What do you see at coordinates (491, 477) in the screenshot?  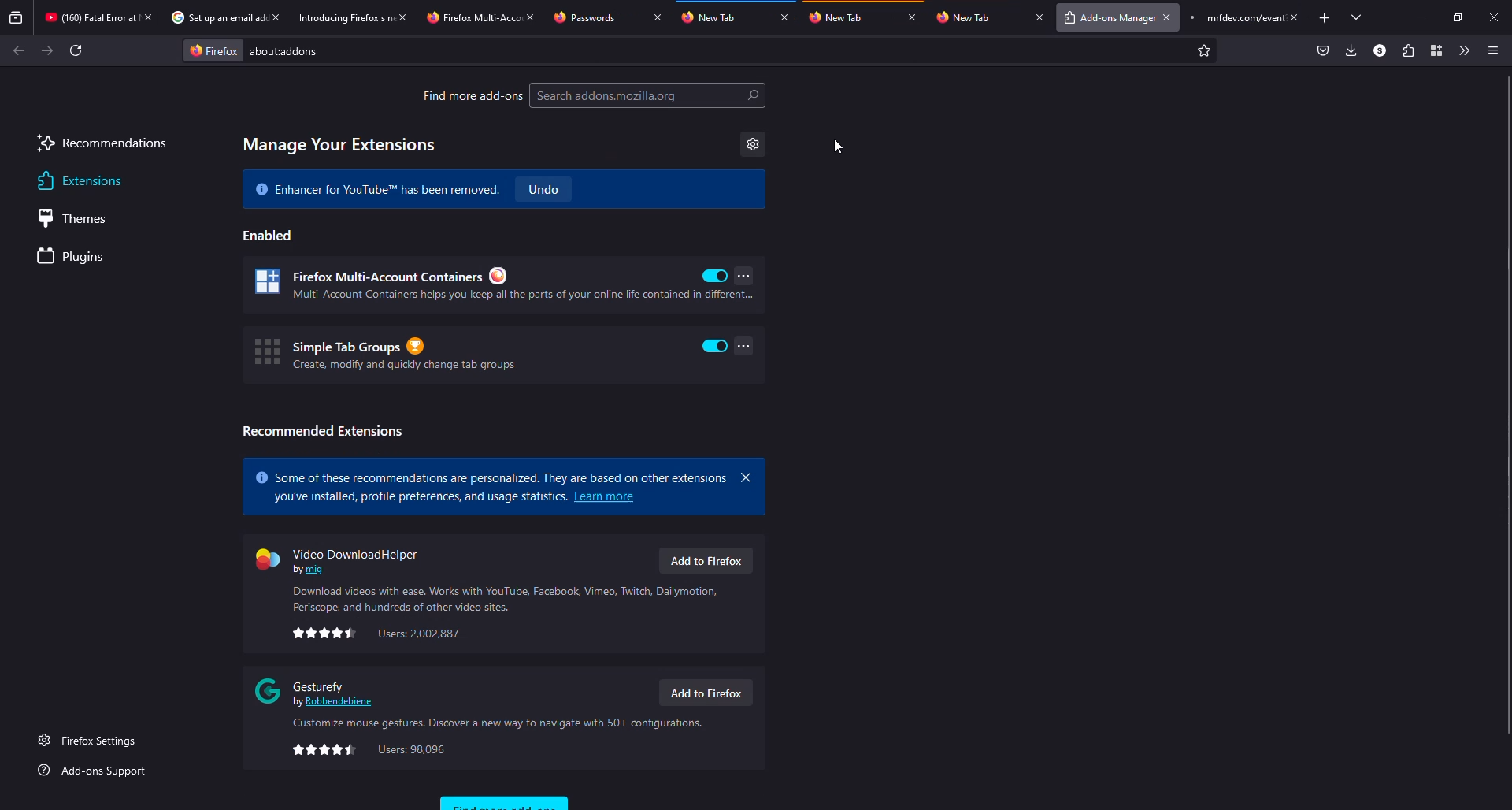 I see `learn more` at bounding box center [491, 477].